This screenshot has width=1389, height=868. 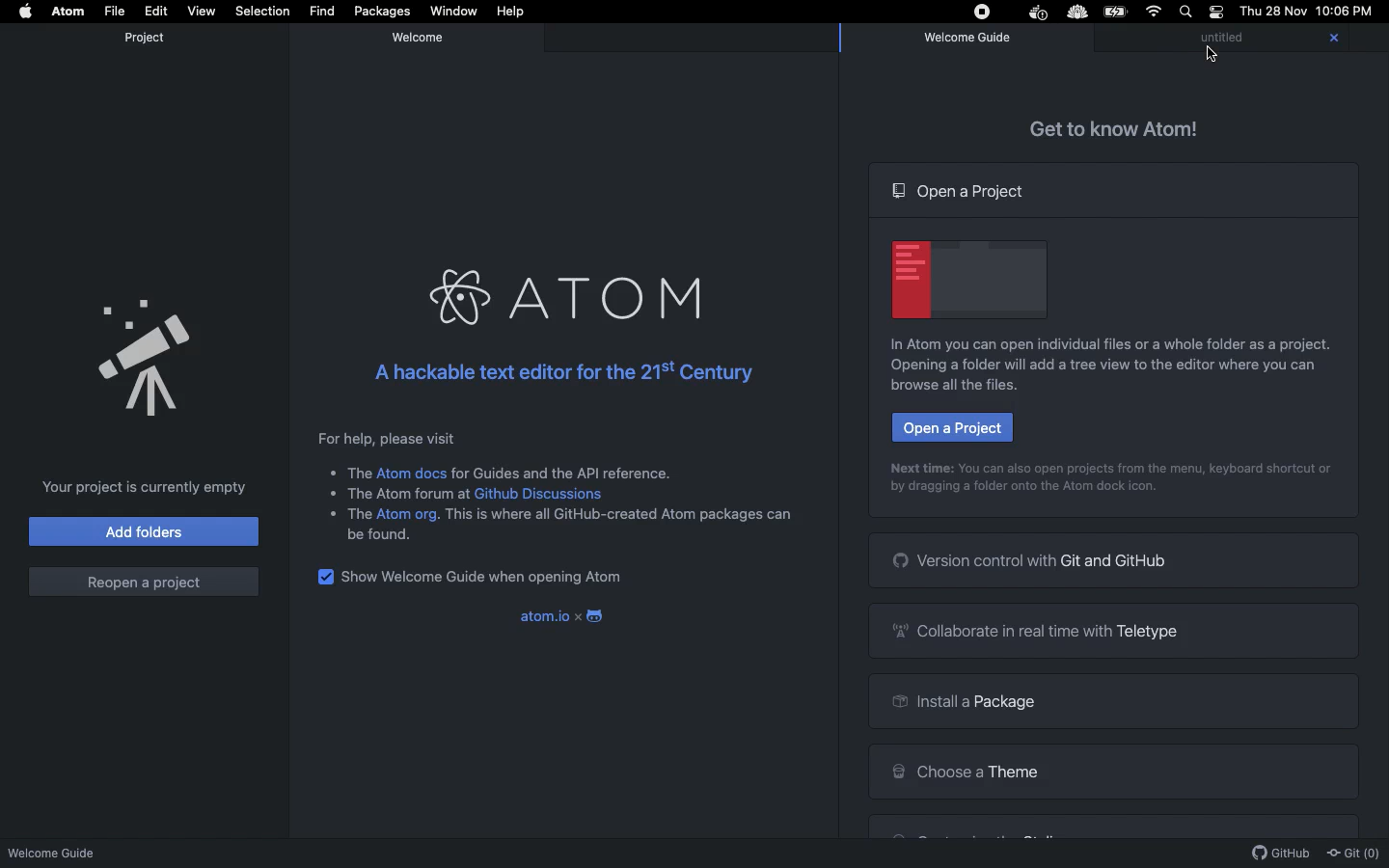 What do you see at coordinates (492, 577) in the screenshot?
I see `Show welcome guide when opening Atom` at bounding box center [492, 577].